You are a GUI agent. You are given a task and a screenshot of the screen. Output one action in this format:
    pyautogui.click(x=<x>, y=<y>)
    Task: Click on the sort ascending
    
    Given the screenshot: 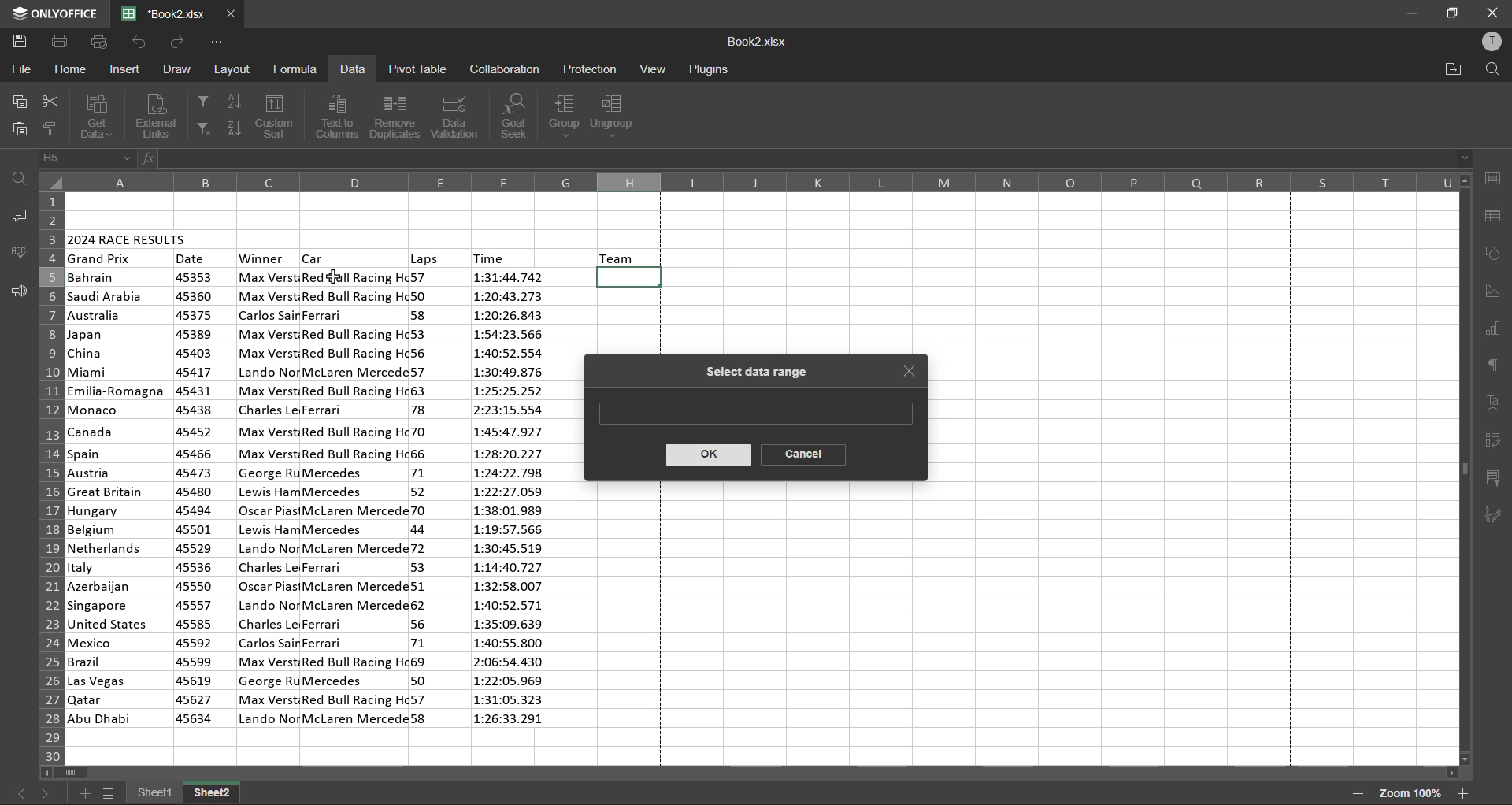 What is the action you would take?
    pyautogui.click(x=239, y=102)
    